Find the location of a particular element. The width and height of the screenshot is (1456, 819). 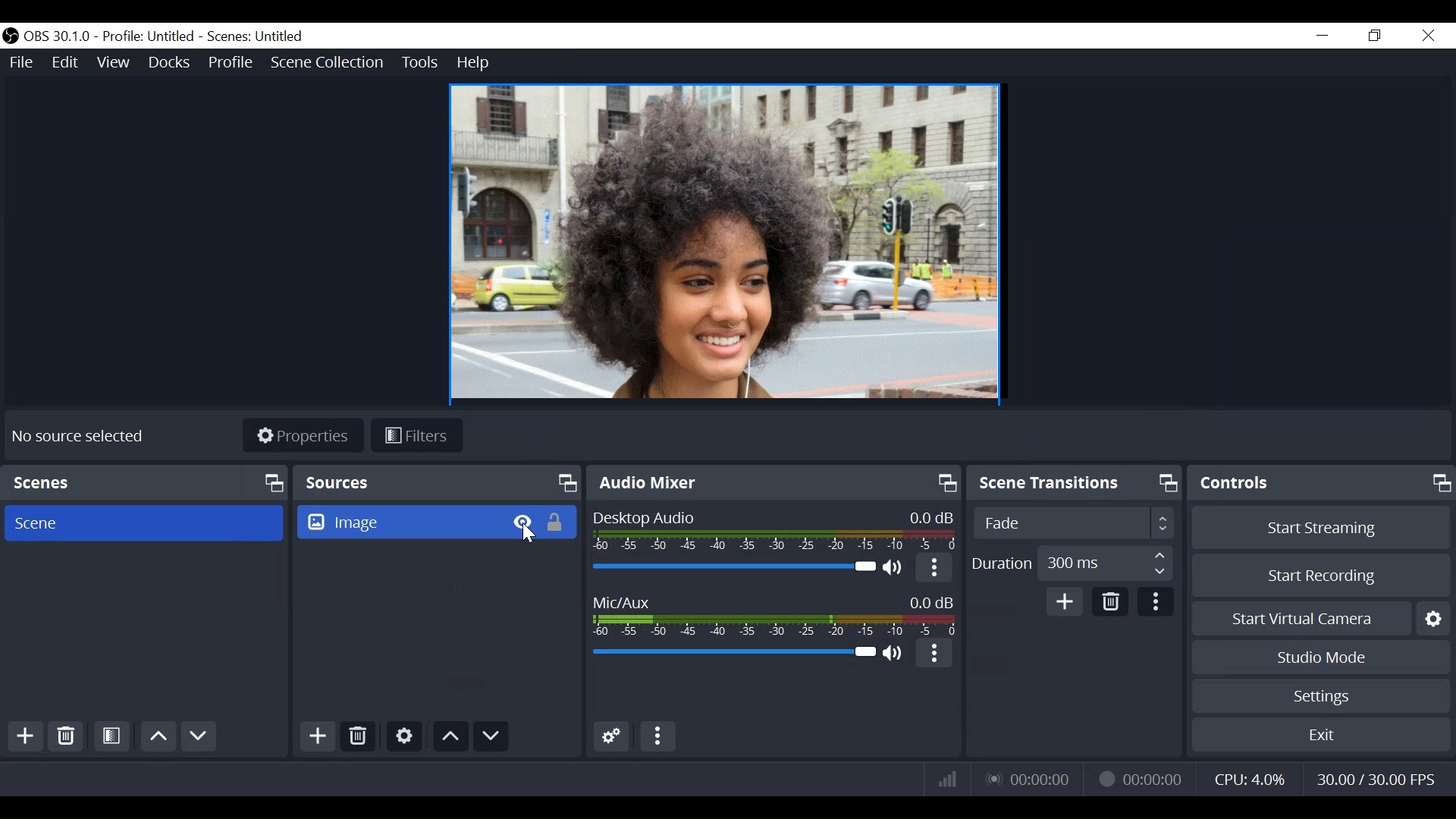

Tools is located at coordinates (419, 62).